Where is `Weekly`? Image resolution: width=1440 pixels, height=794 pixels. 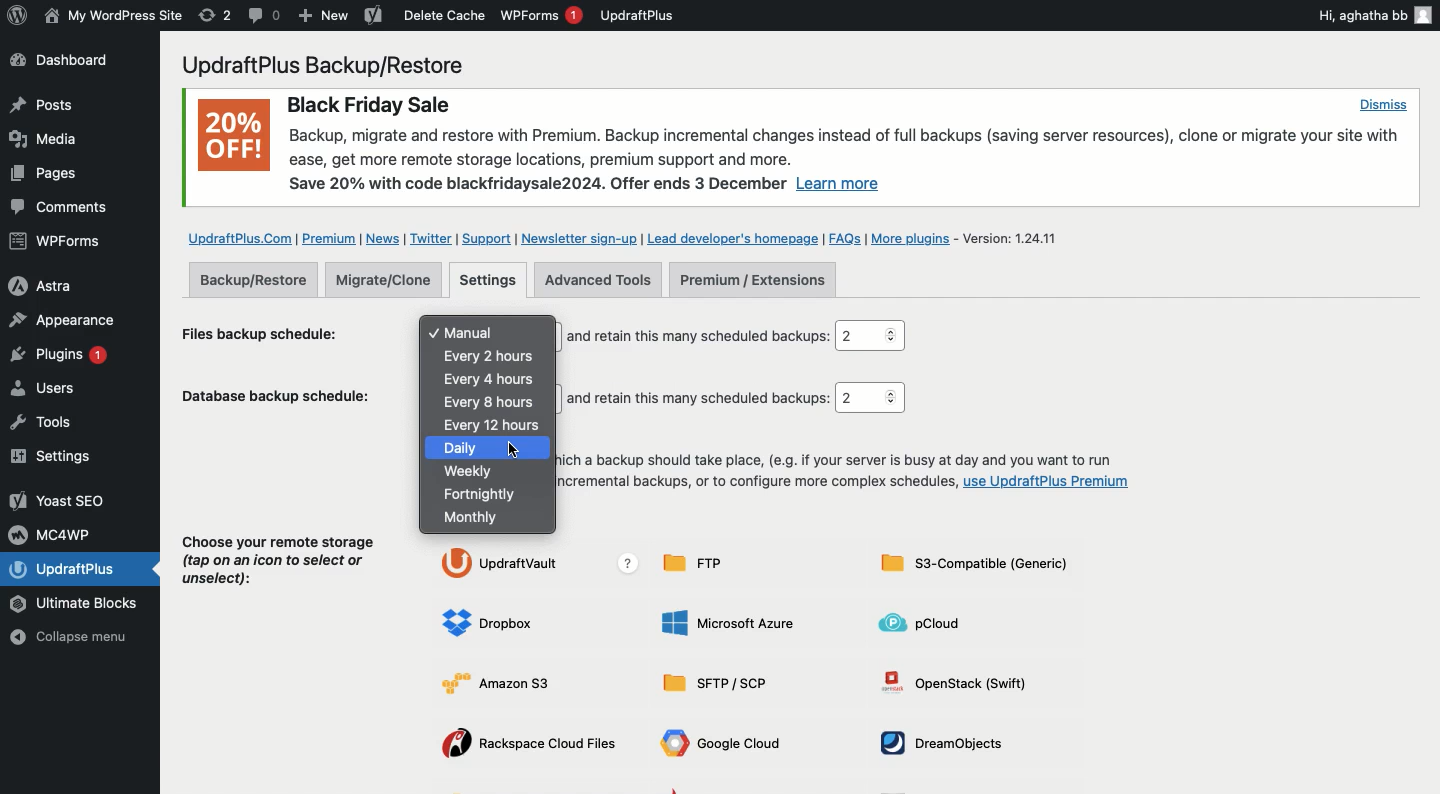
Weekly is located at coordinates (471, 471).